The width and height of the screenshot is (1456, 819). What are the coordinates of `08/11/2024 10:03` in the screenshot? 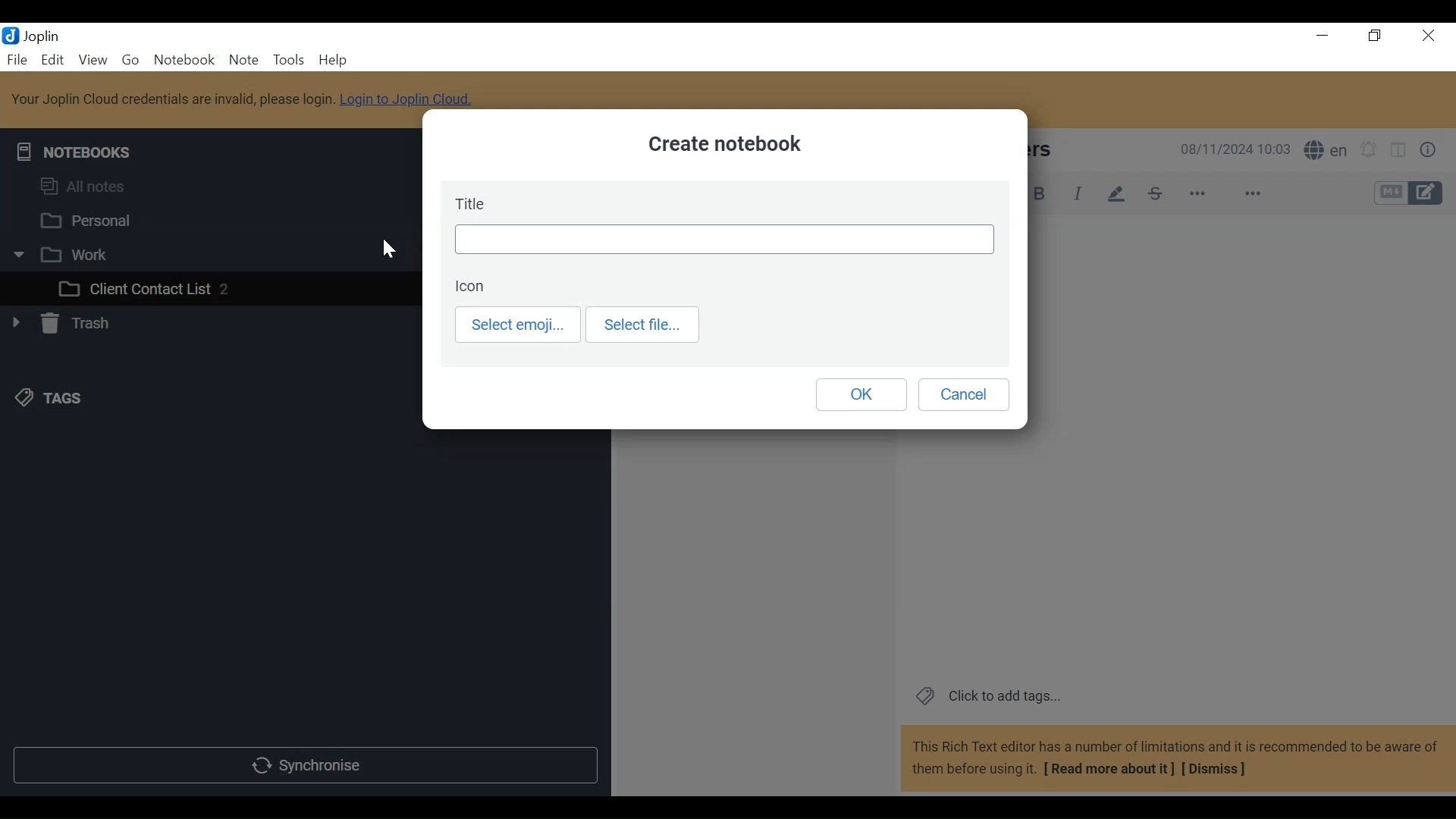 It's located at (1228, 149).